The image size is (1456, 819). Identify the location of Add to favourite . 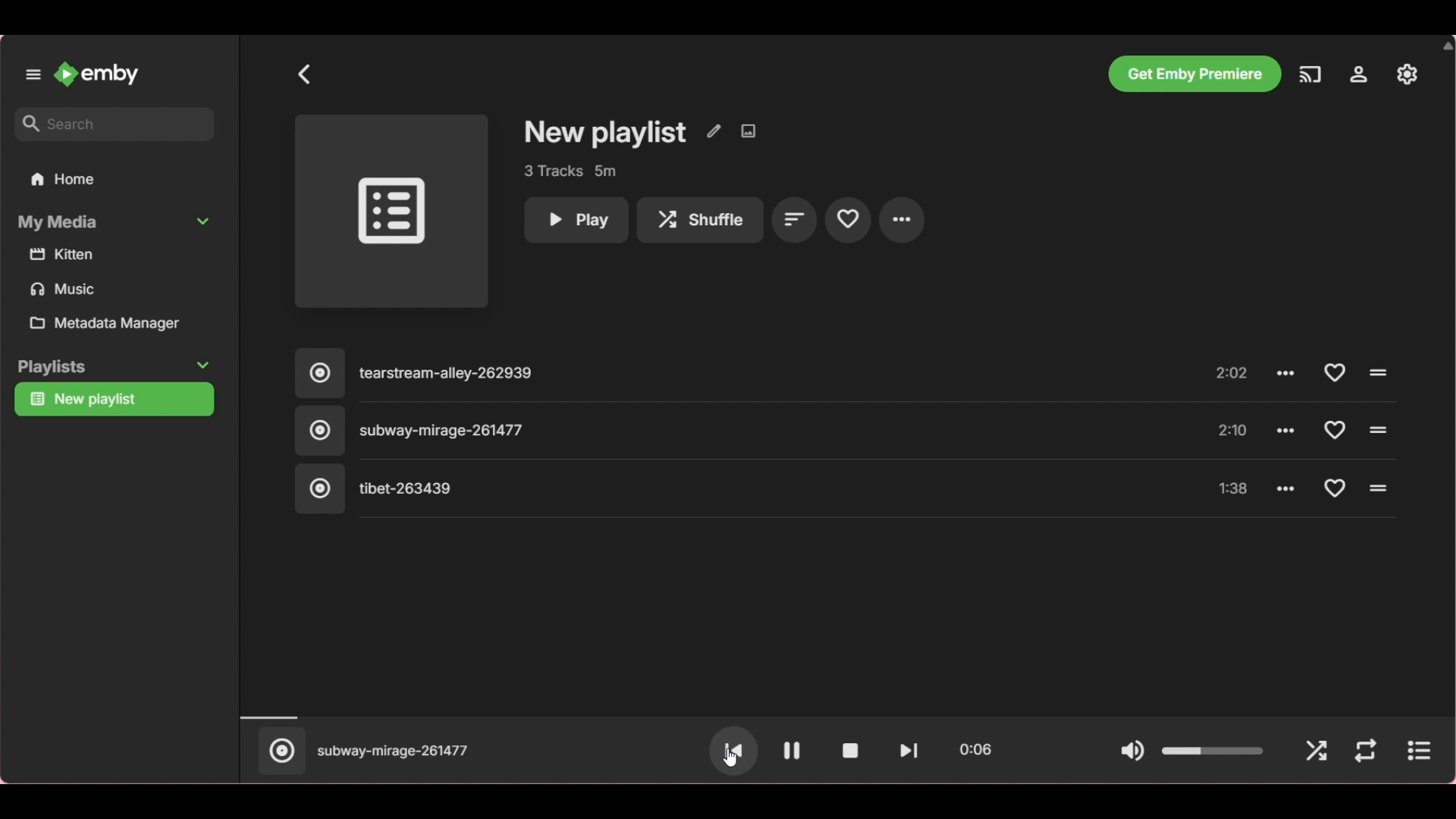
(848, 218).